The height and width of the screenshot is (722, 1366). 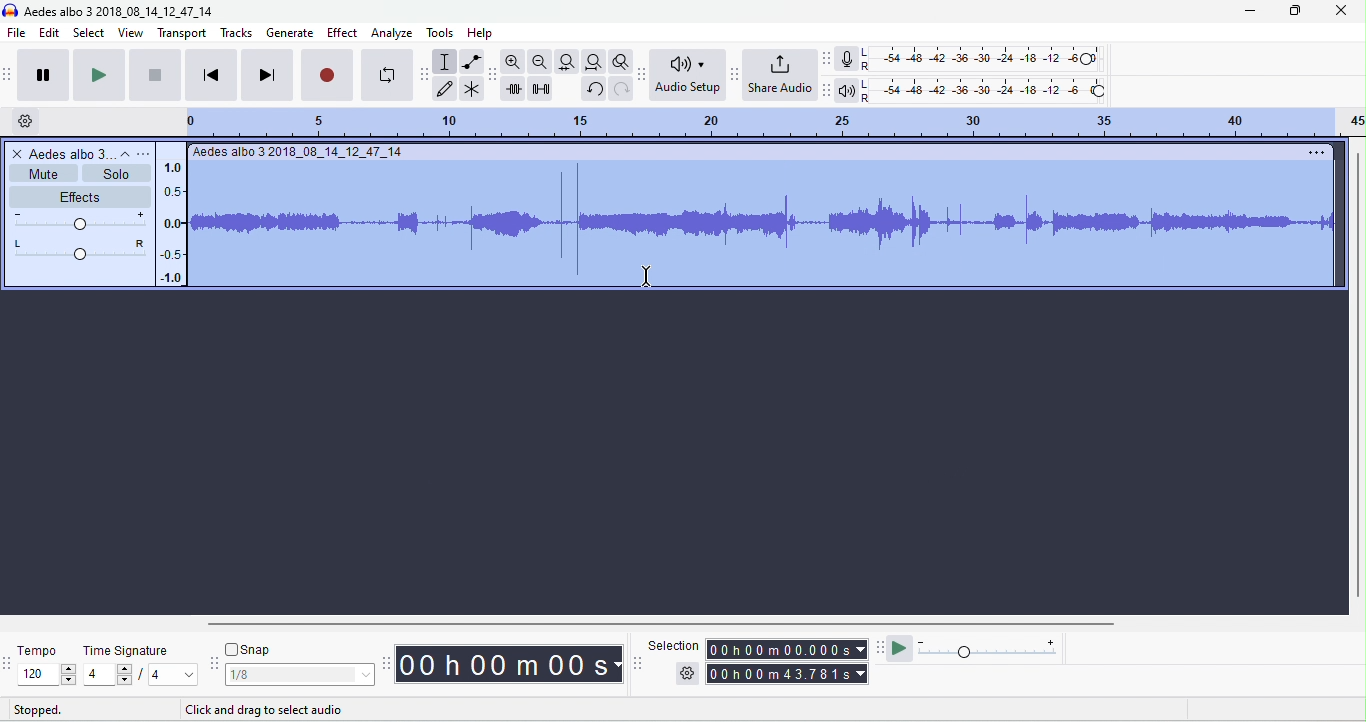 What do you see at coordinates (1249, 11) in the screenshot?
I see `minimize` at bounding box center [1249, 11].